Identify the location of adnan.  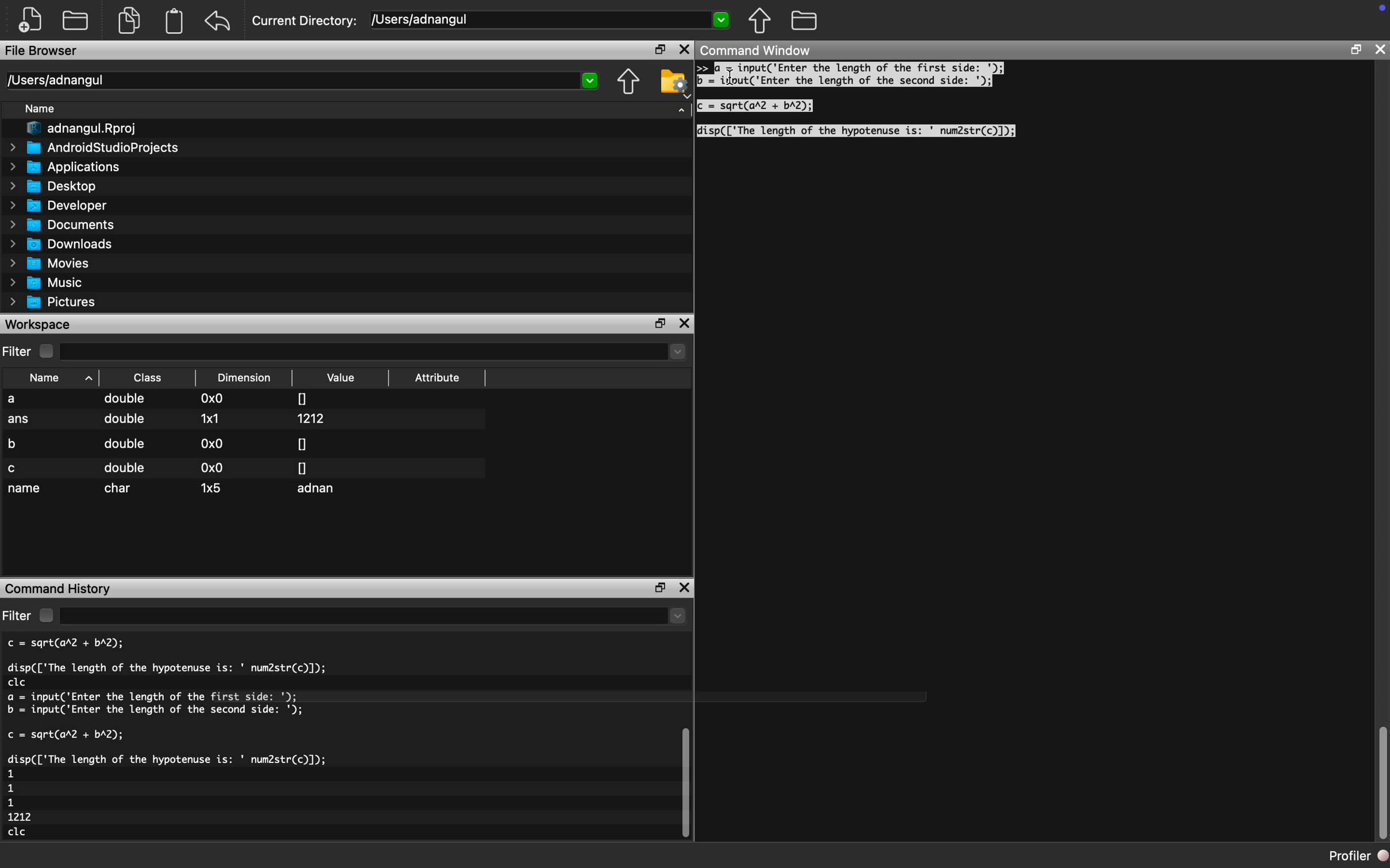
(320, 490).